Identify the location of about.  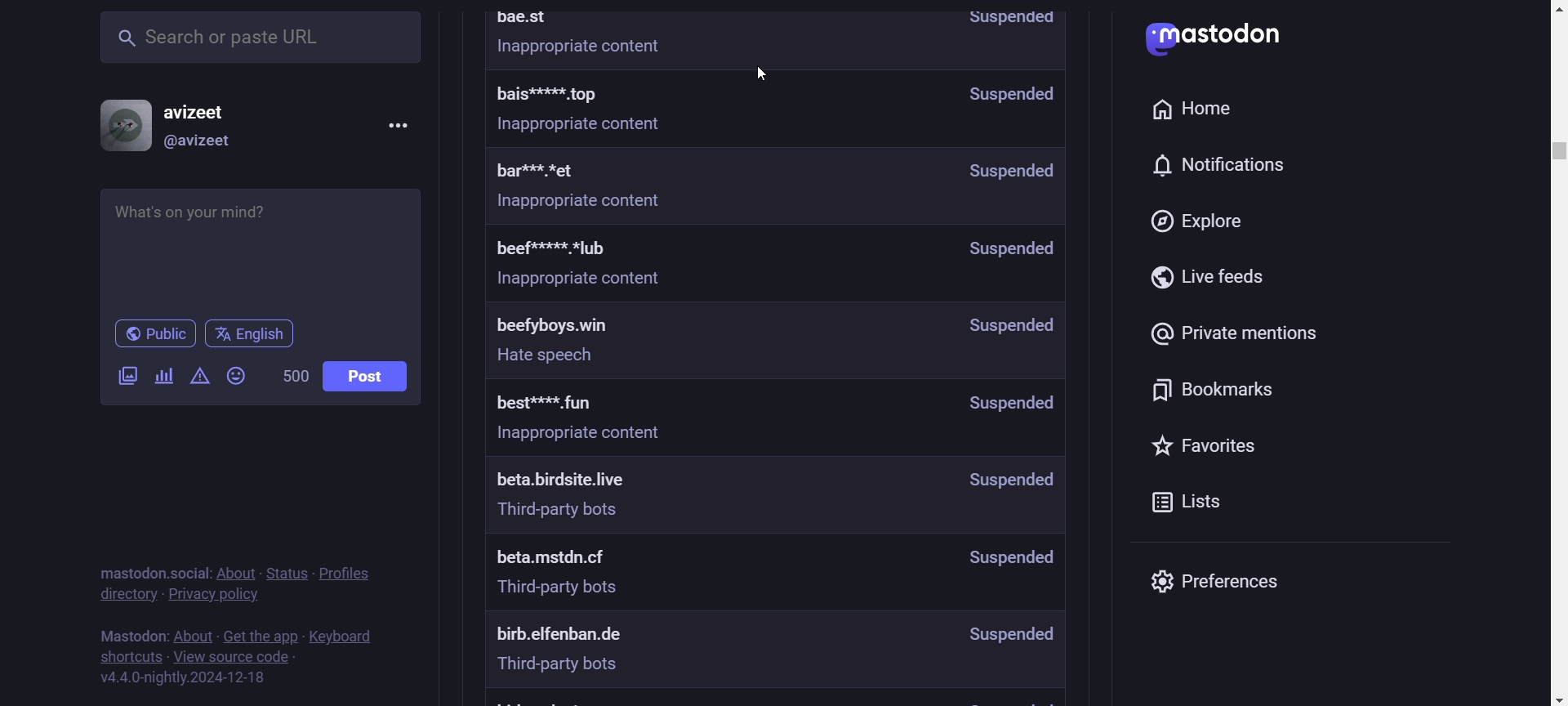
(234, 569).